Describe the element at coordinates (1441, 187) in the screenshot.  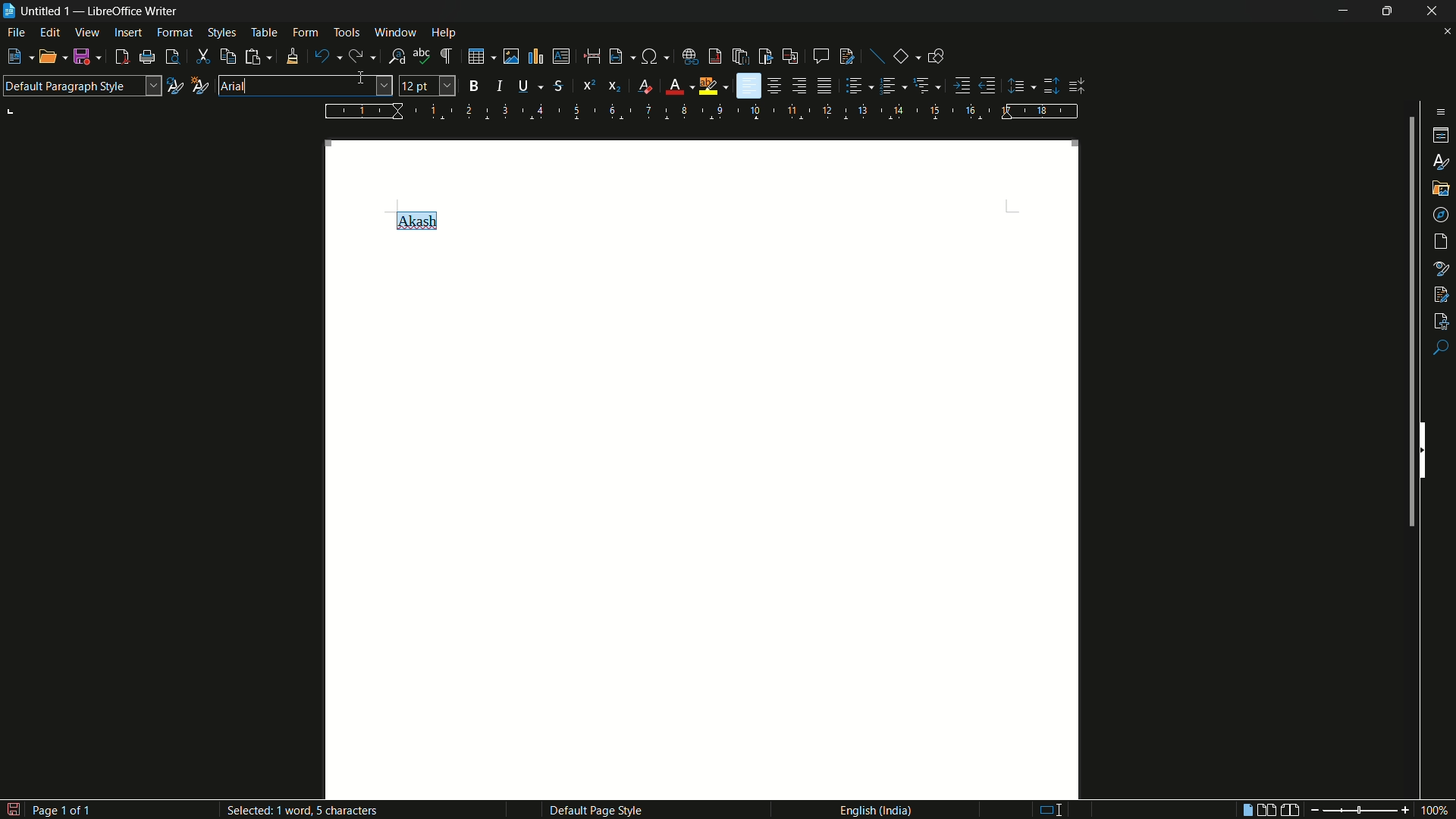
I see `gallery` at that location.